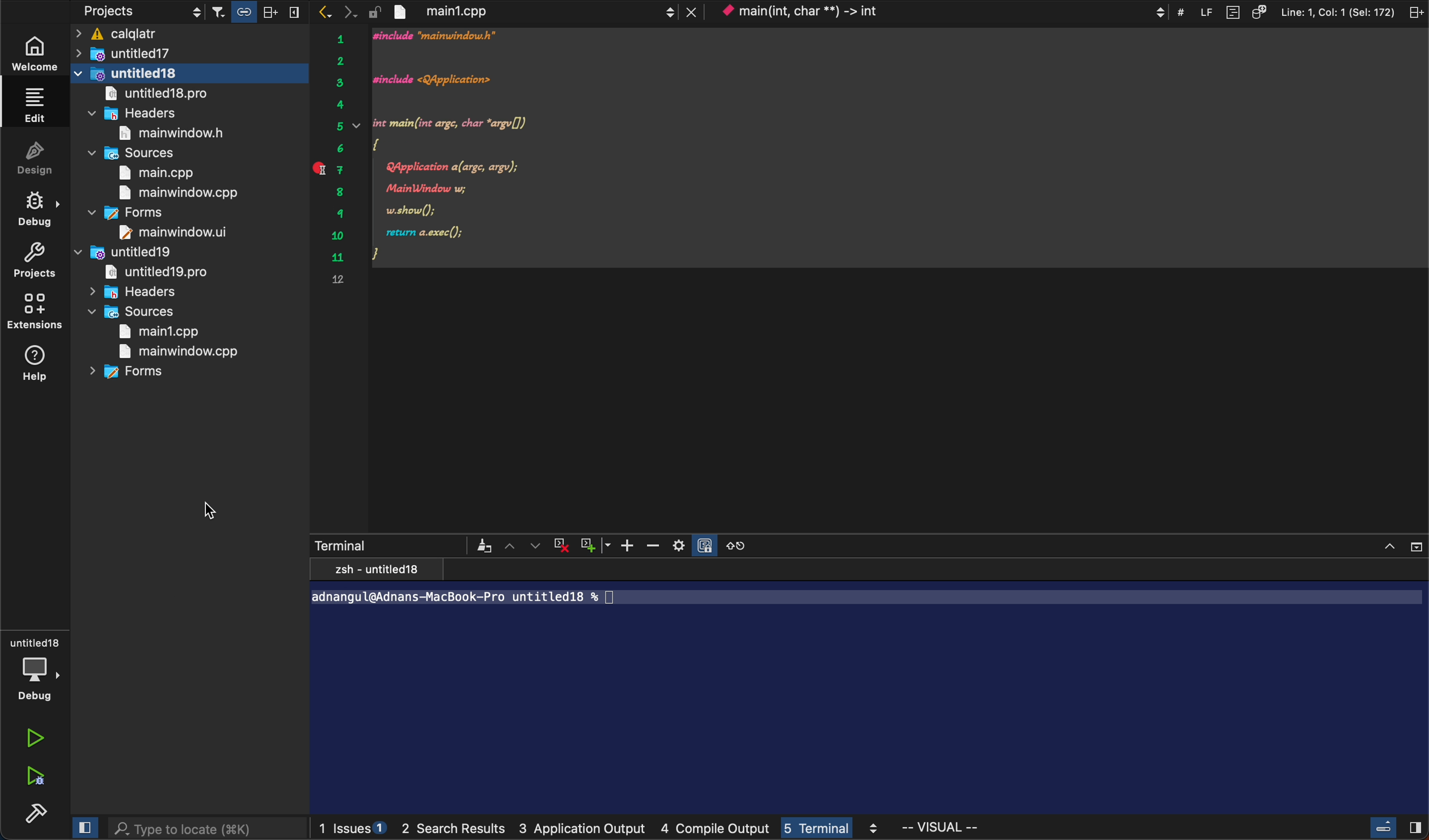 The image size is (1429, 840). Describe the element at coordinates (213, 11) in the screenshot. I see `filters` at that location.